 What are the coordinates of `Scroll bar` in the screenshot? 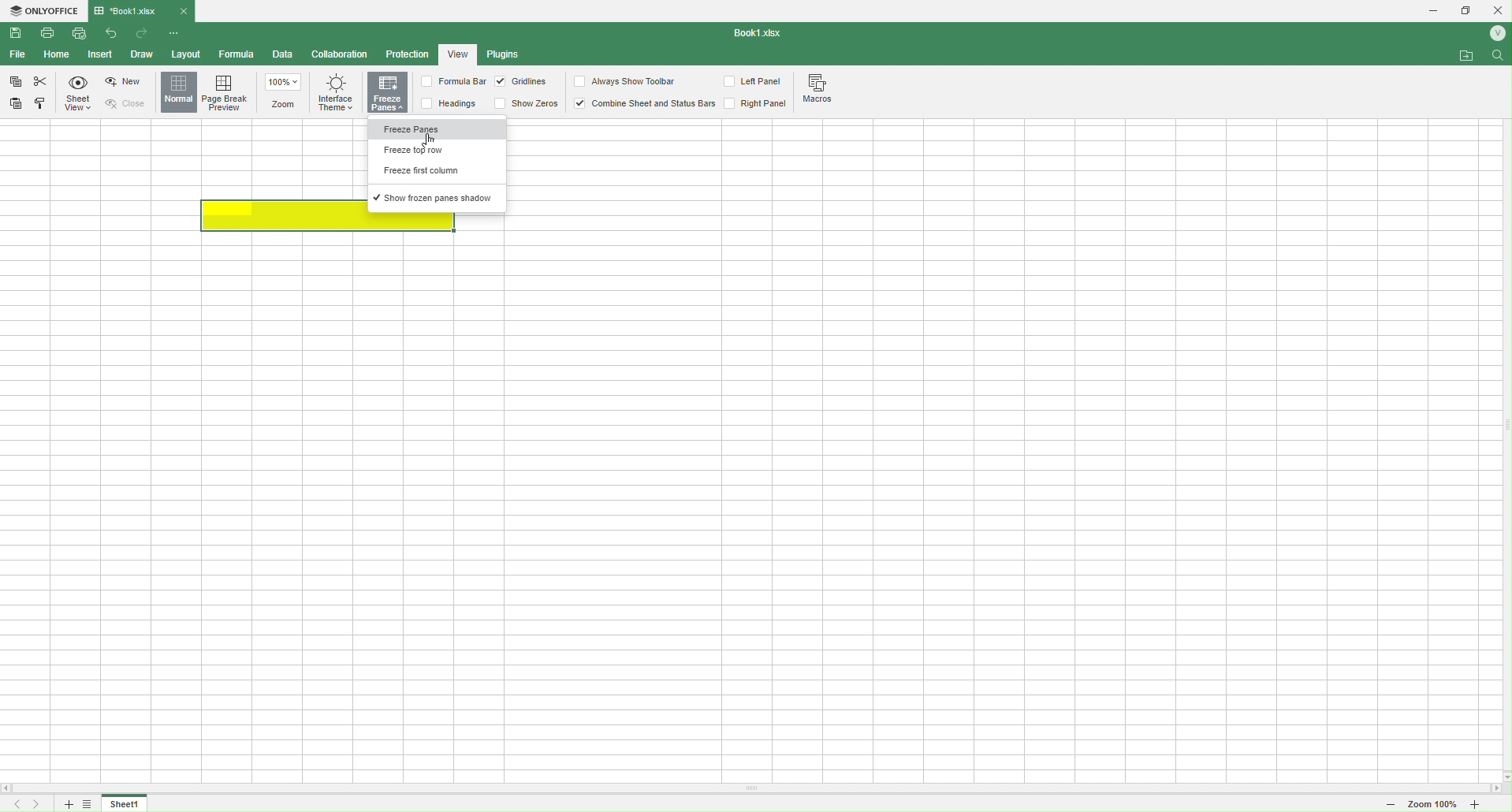 It's located at (1502, 425).